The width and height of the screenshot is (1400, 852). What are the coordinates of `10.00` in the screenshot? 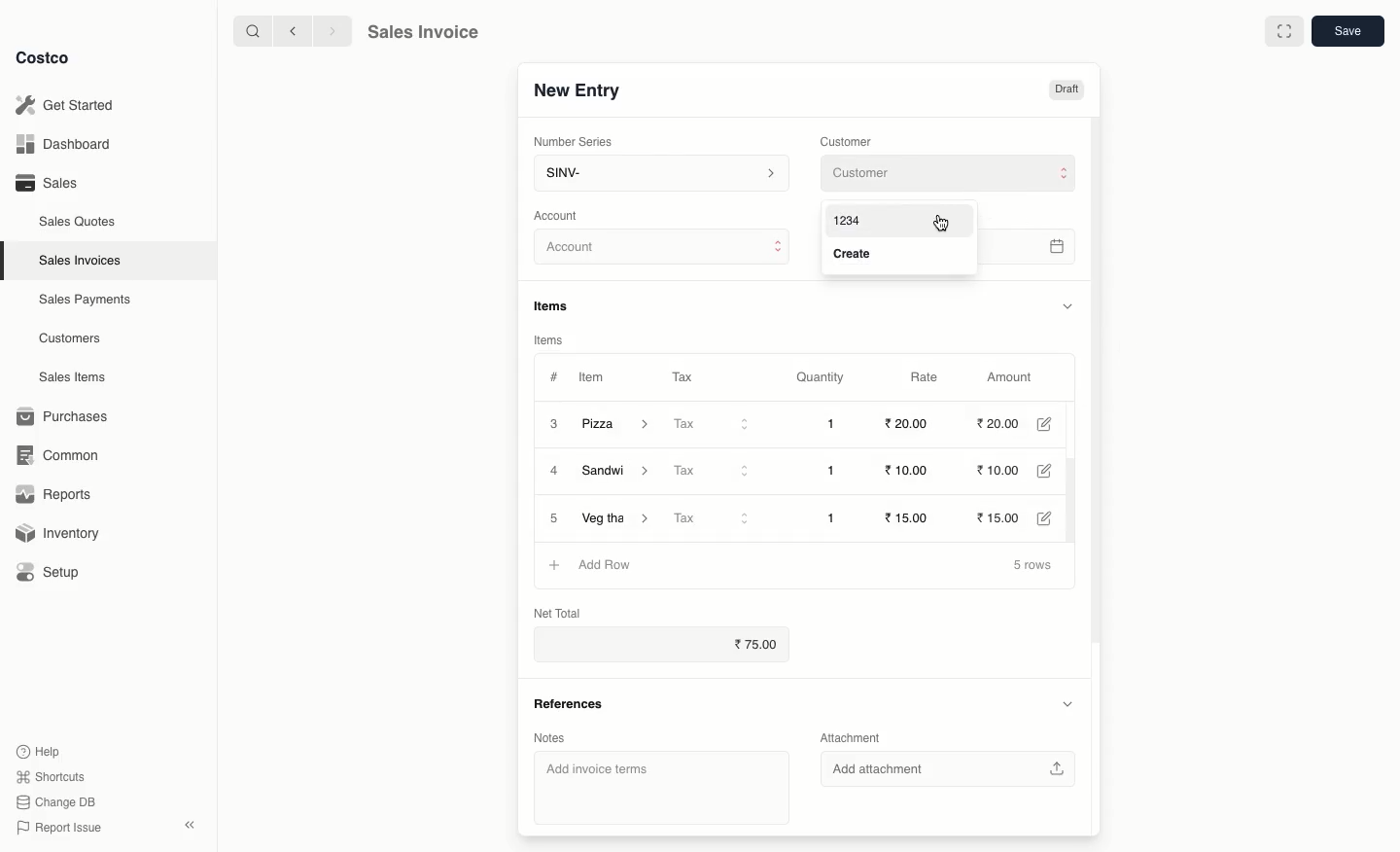 It's located at (904, 471).